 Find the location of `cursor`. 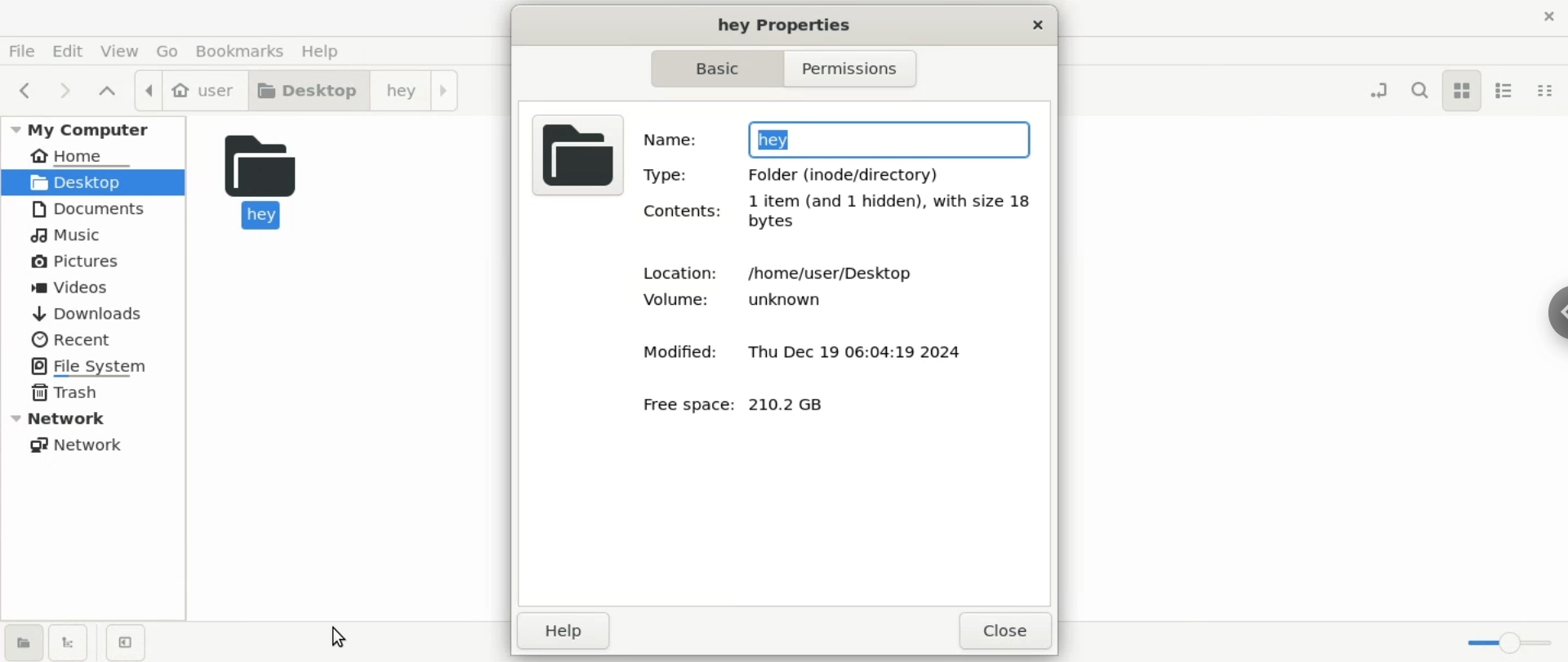

cursor is located at coordinates (341, 638).